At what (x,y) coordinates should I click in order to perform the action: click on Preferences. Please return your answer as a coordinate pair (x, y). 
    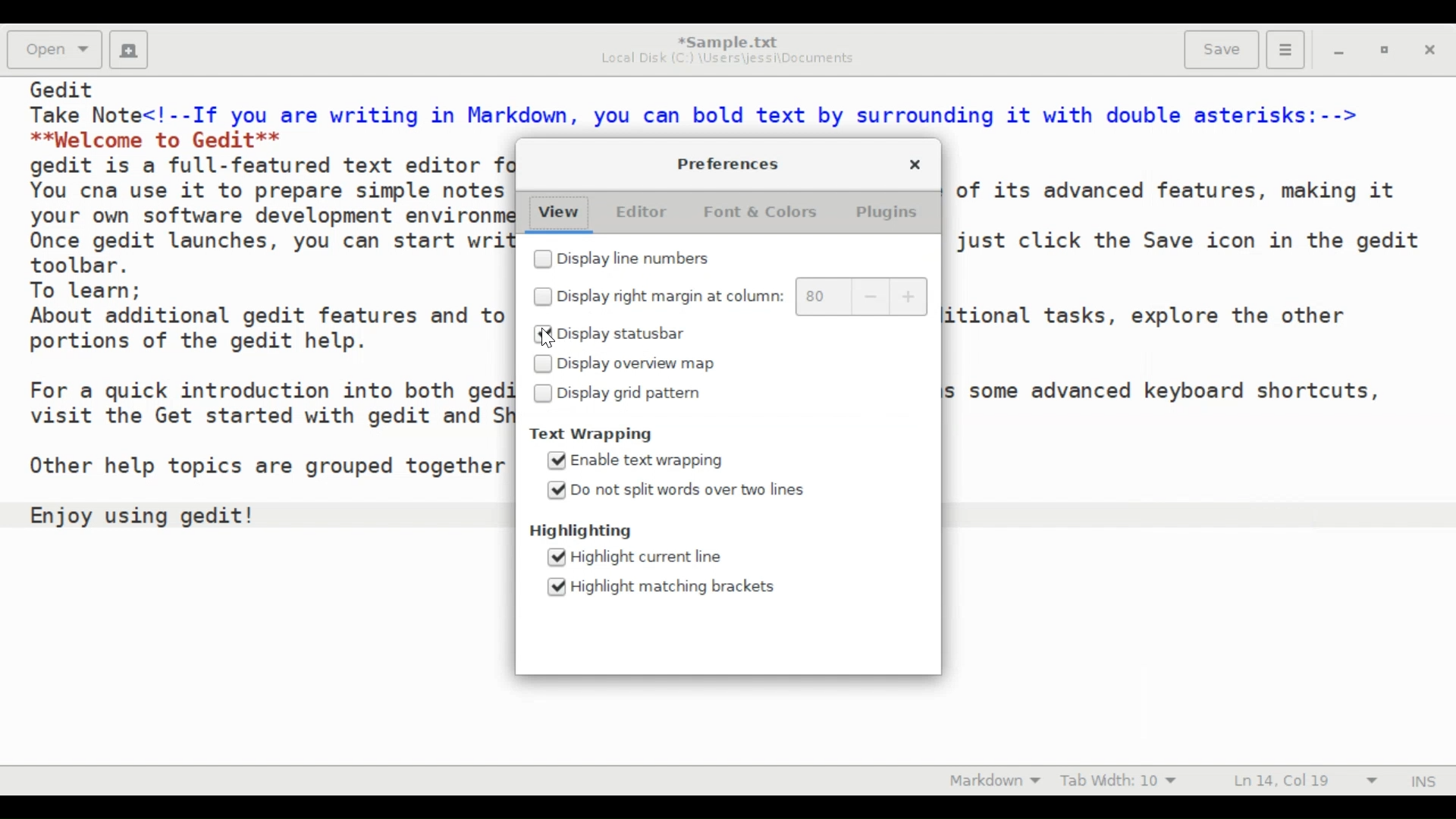
    Looking at the image, I should click on (726, 166).